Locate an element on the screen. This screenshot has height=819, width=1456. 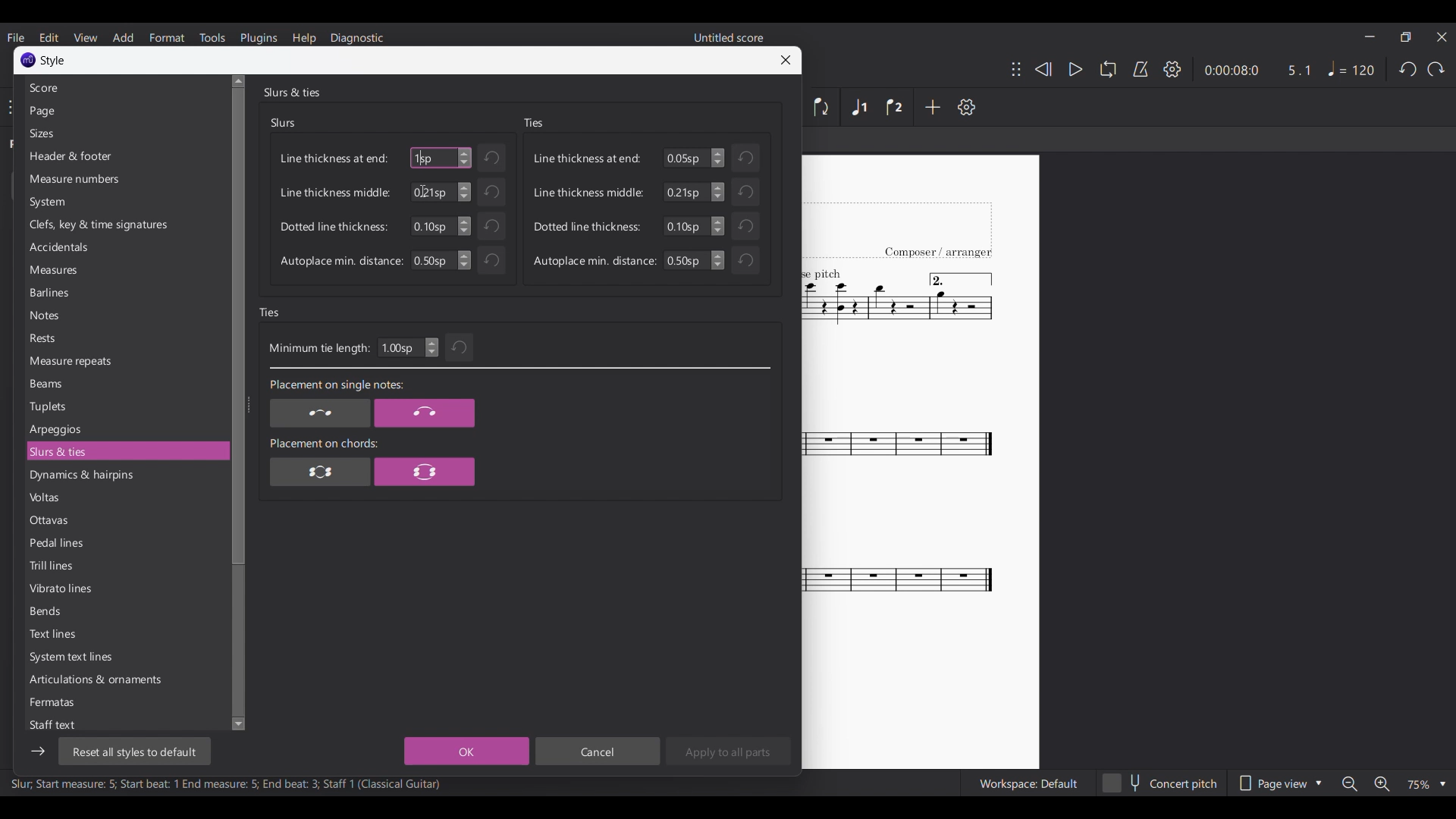
Edit menu is located at coordinates (49, 37).